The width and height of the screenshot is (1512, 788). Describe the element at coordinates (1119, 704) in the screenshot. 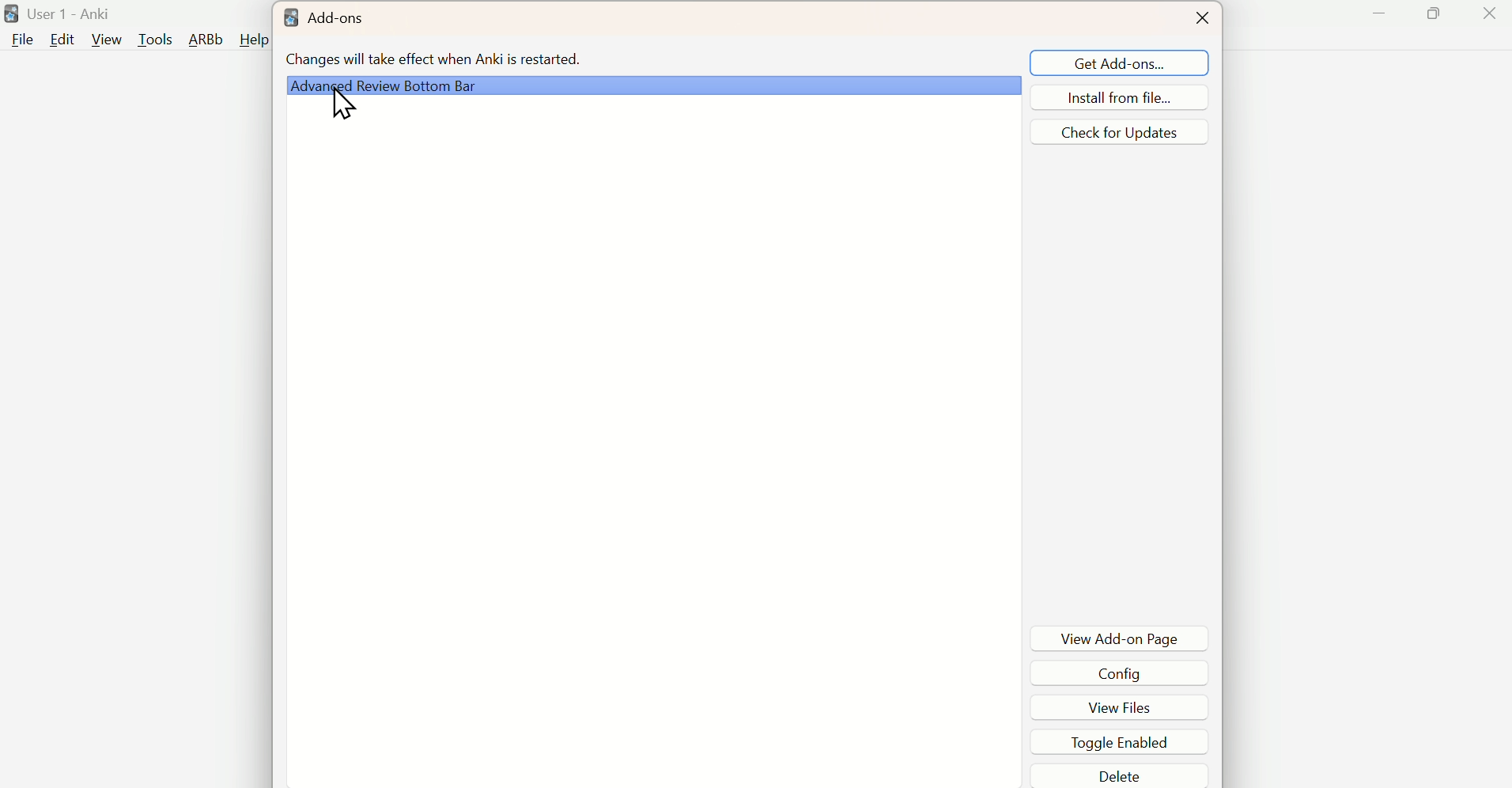

I see `View Files` at that location.